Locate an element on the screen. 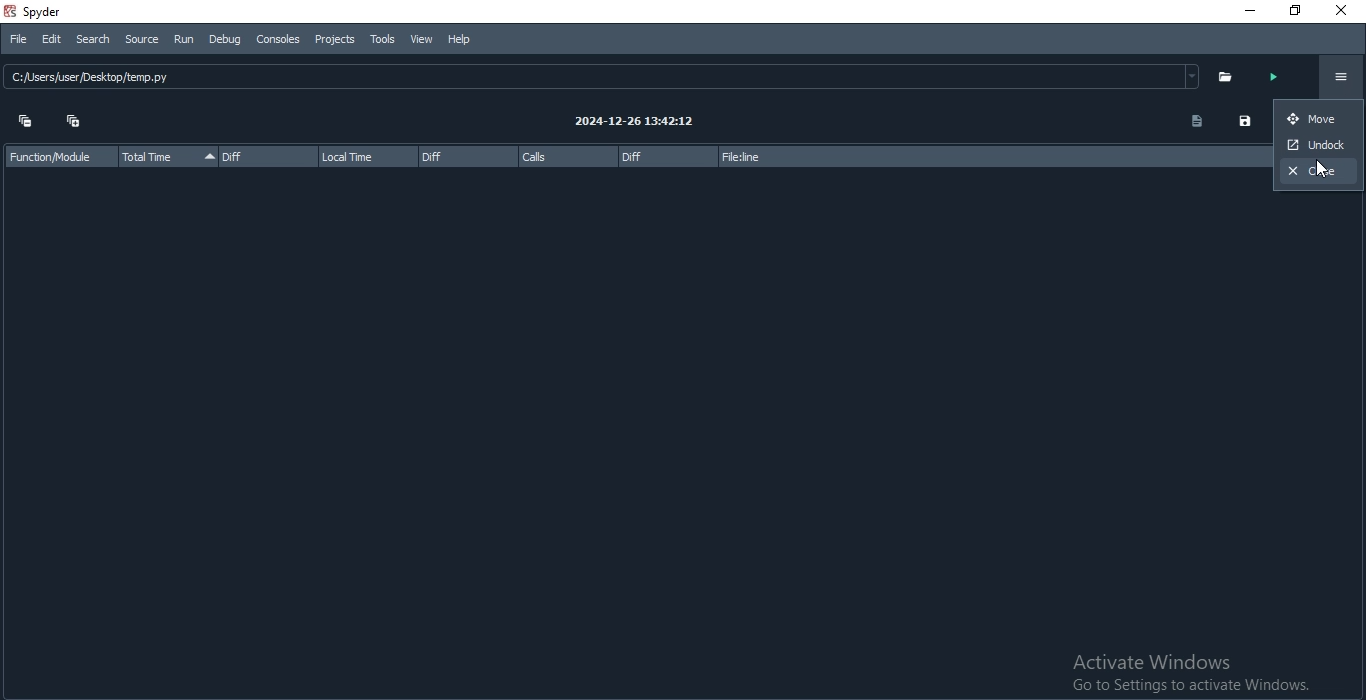 The height and width of the screenshot is (700, 1366). Restore is located at coordinates (1288, 10).